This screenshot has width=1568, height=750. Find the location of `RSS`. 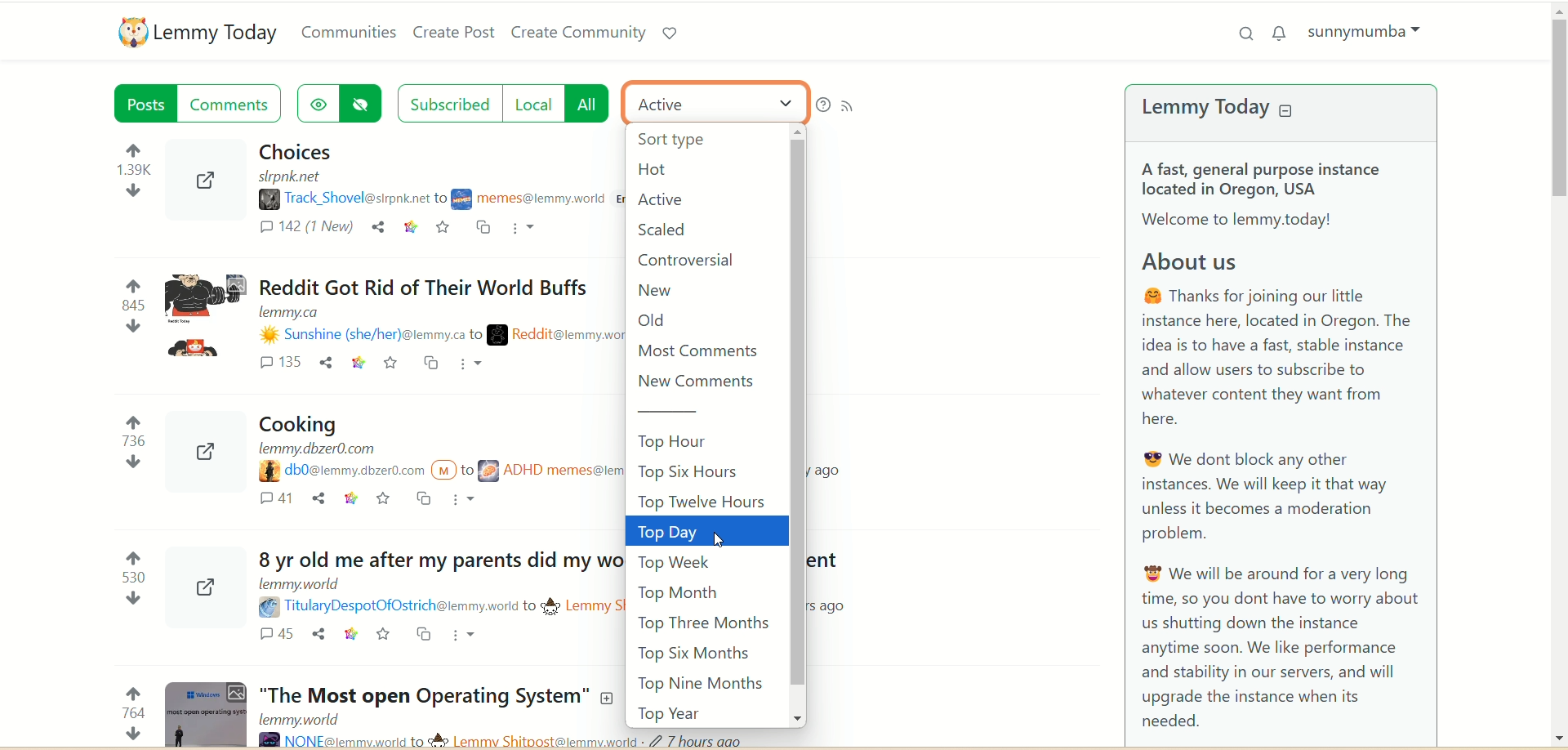

RSS is located at coordinates (854, 103).